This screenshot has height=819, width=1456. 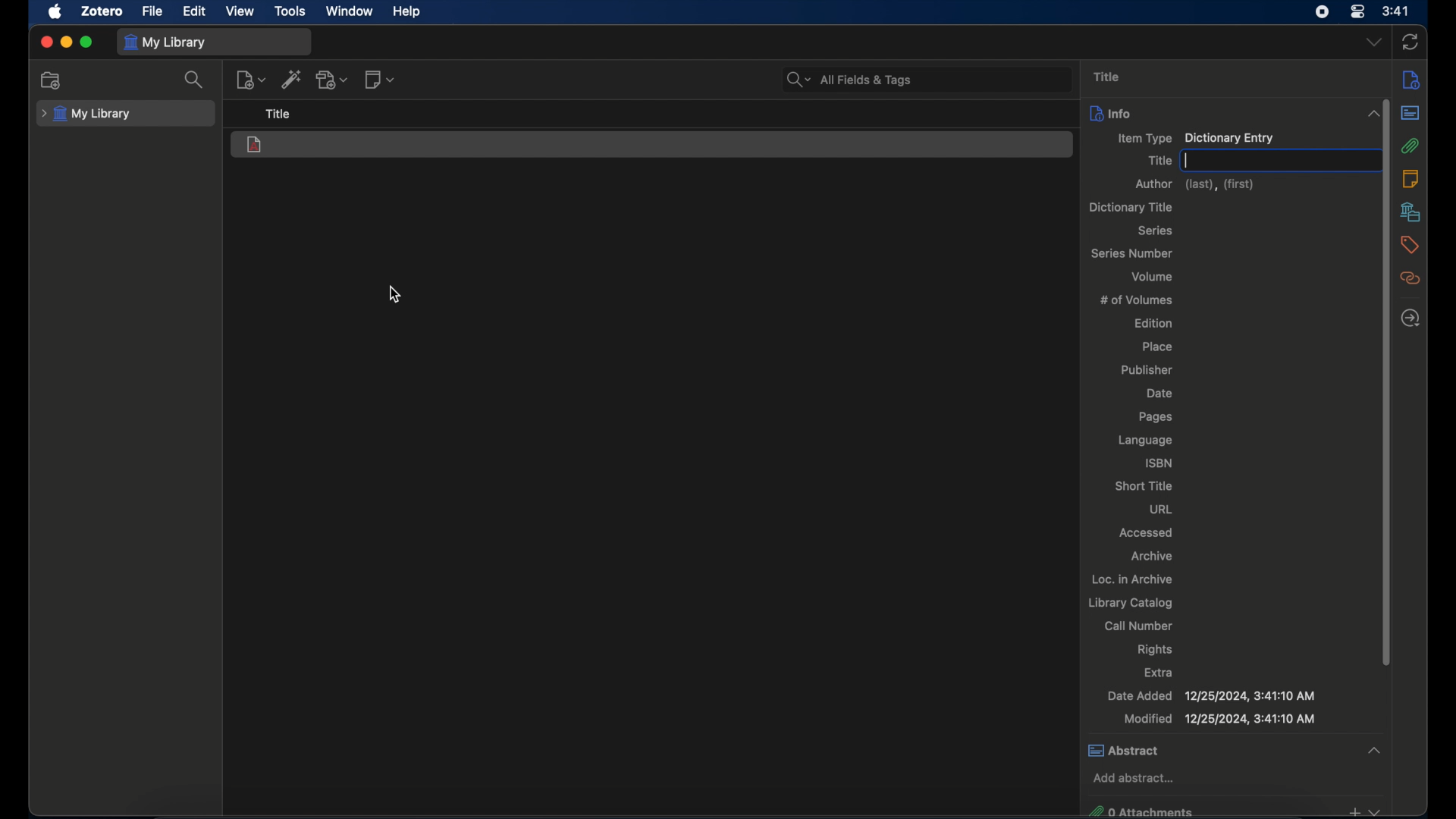 What do you see at coordinates (1212, 696) in the screenshot?
I see `date added` at bounding box center [1212, 696].